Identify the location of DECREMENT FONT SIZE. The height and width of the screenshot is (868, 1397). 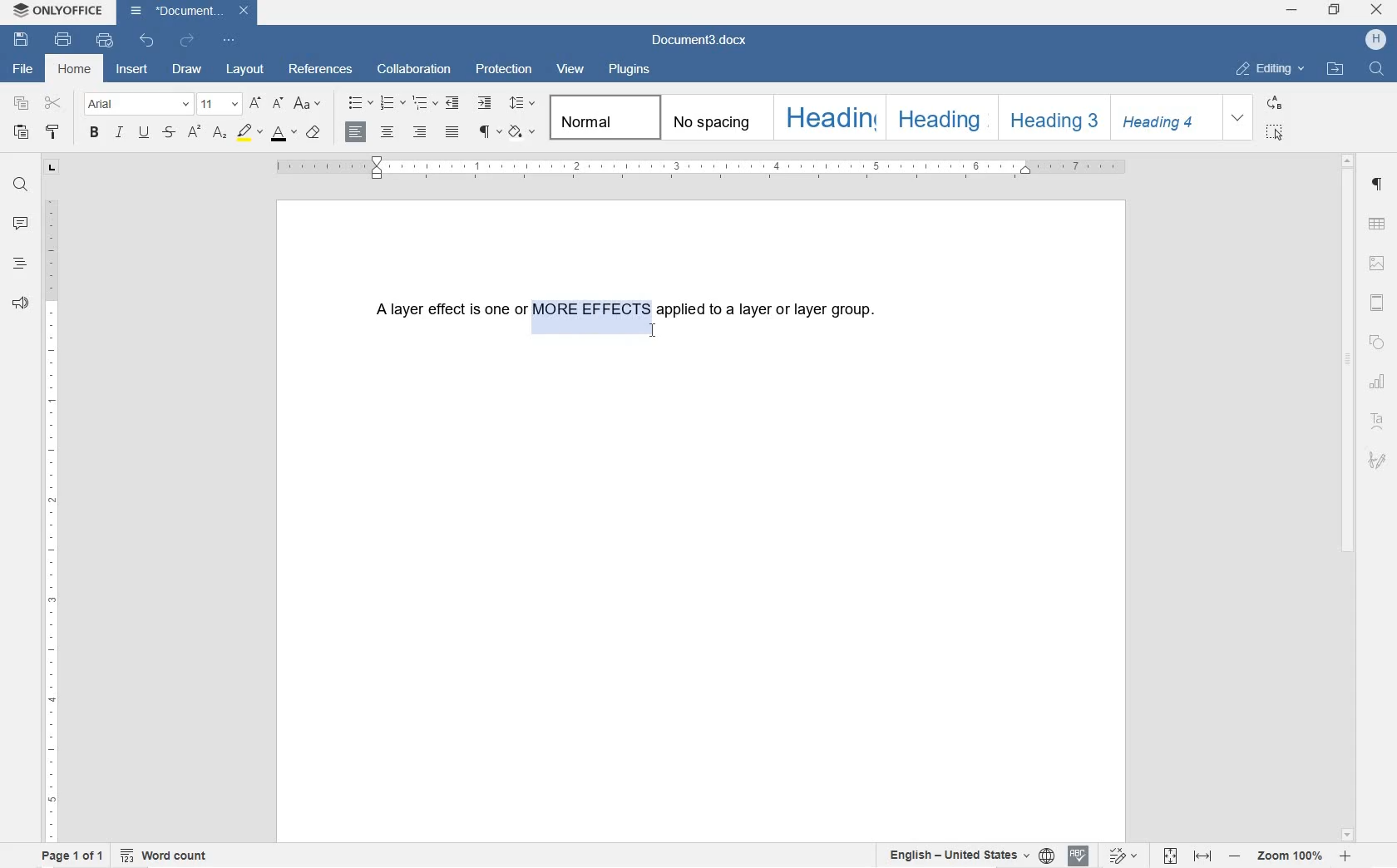
(255, 104).